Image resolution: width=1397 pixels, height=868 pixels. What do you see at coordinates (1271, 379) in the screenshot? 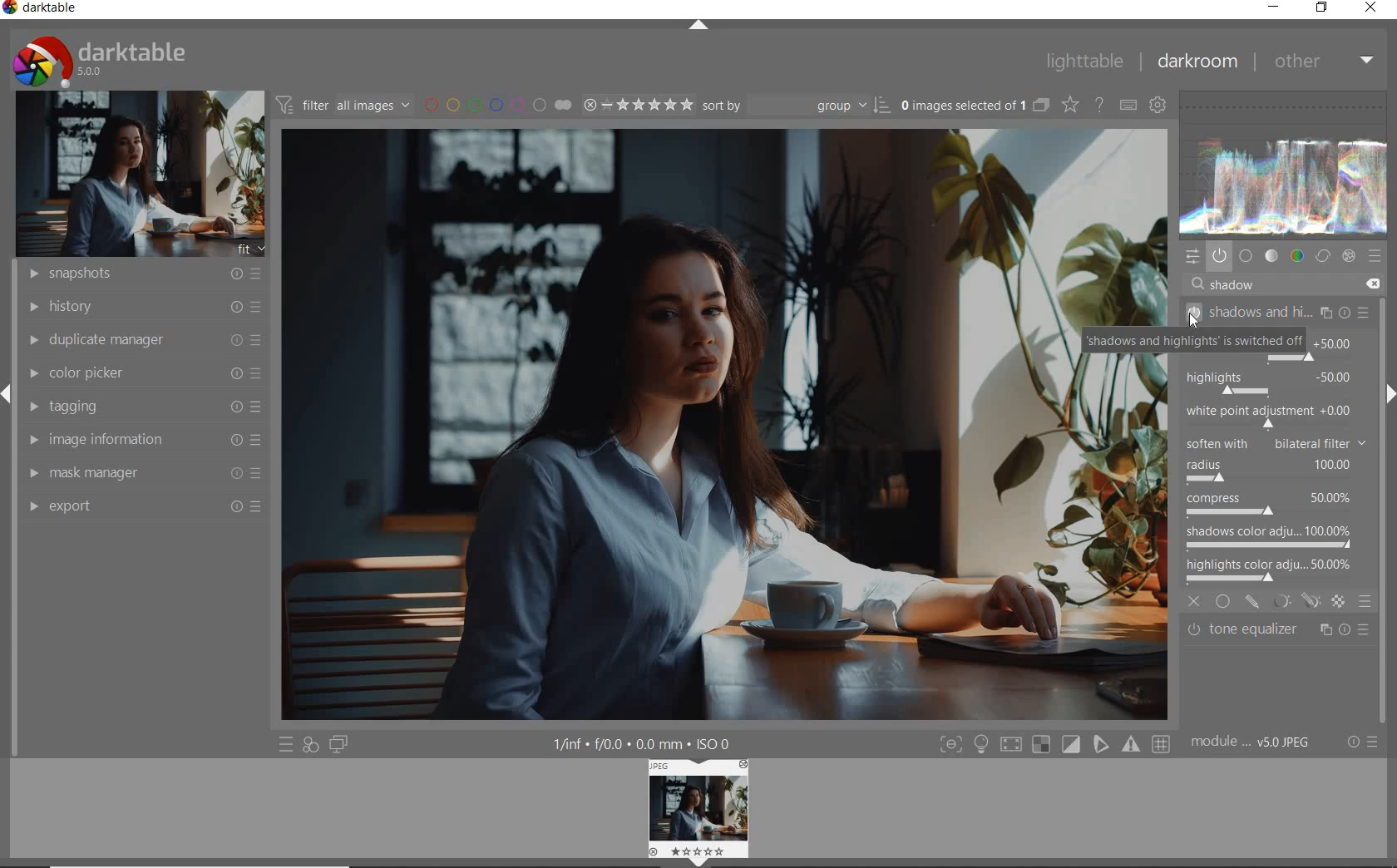
I see `highlights` at bounding box center [1271, 379].